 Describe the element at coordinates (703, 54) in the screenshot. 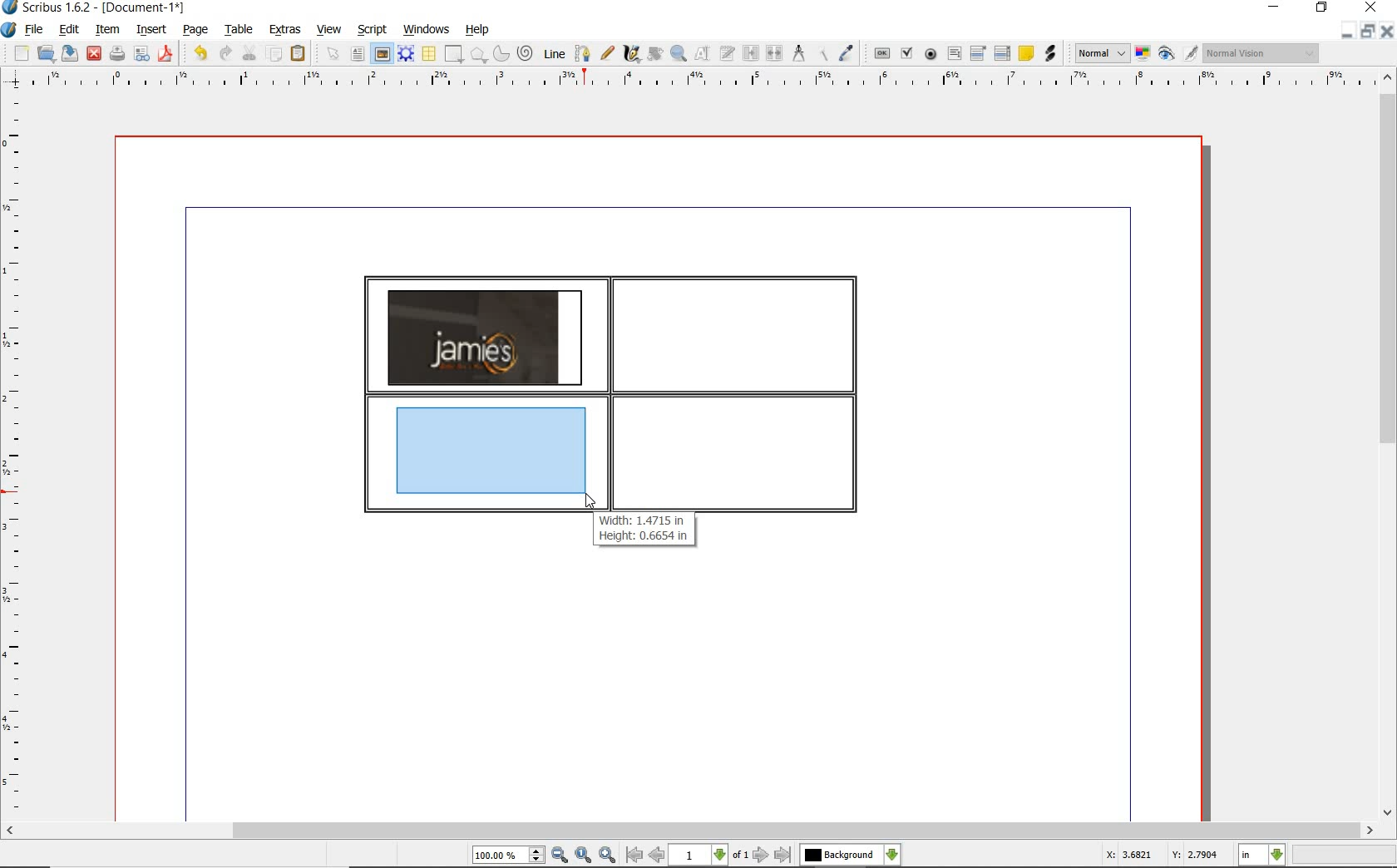

I see `edit contents of frame` at that location.